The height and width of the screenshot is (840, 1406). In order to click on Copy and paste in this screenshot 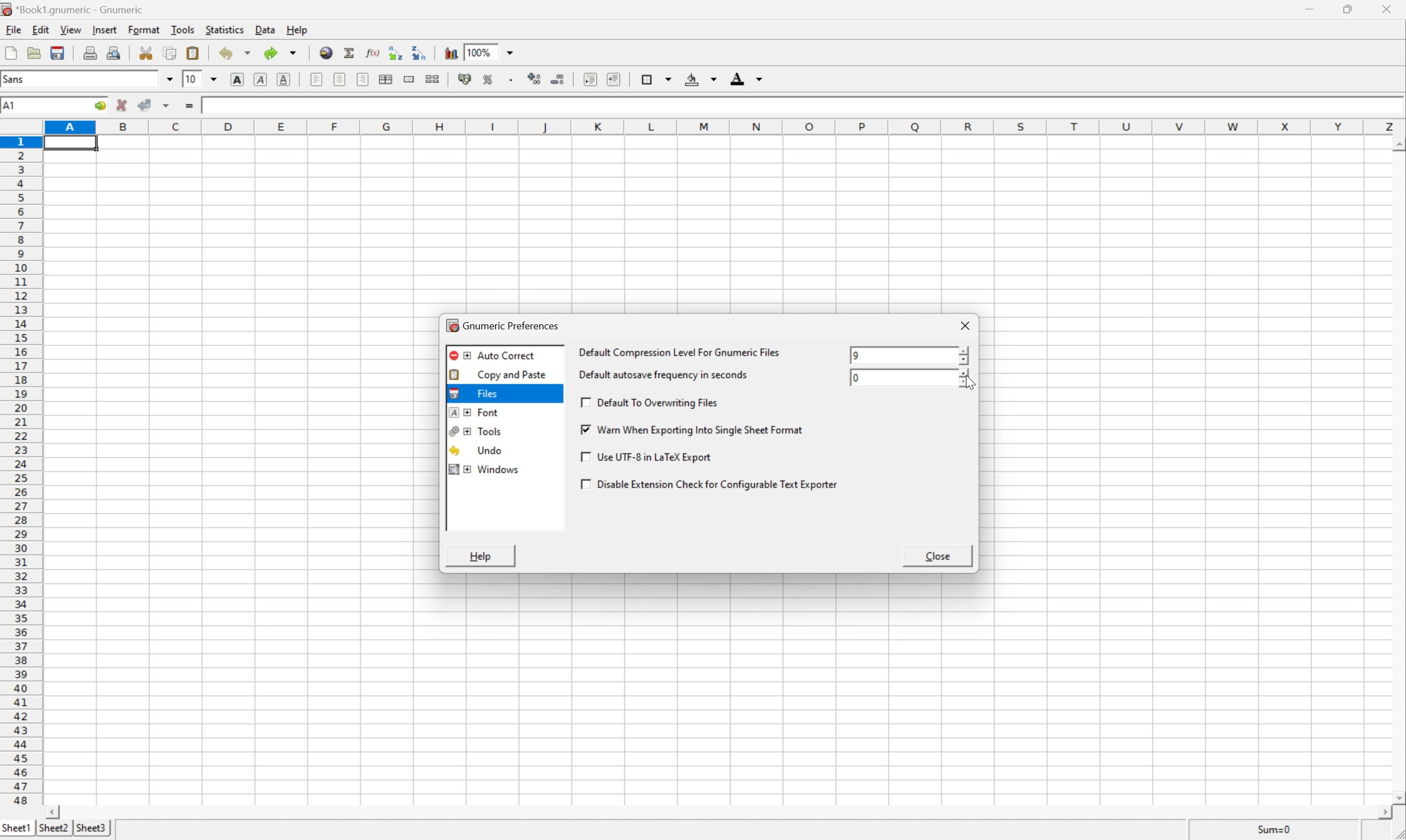, I will do `click(505, 374)`.